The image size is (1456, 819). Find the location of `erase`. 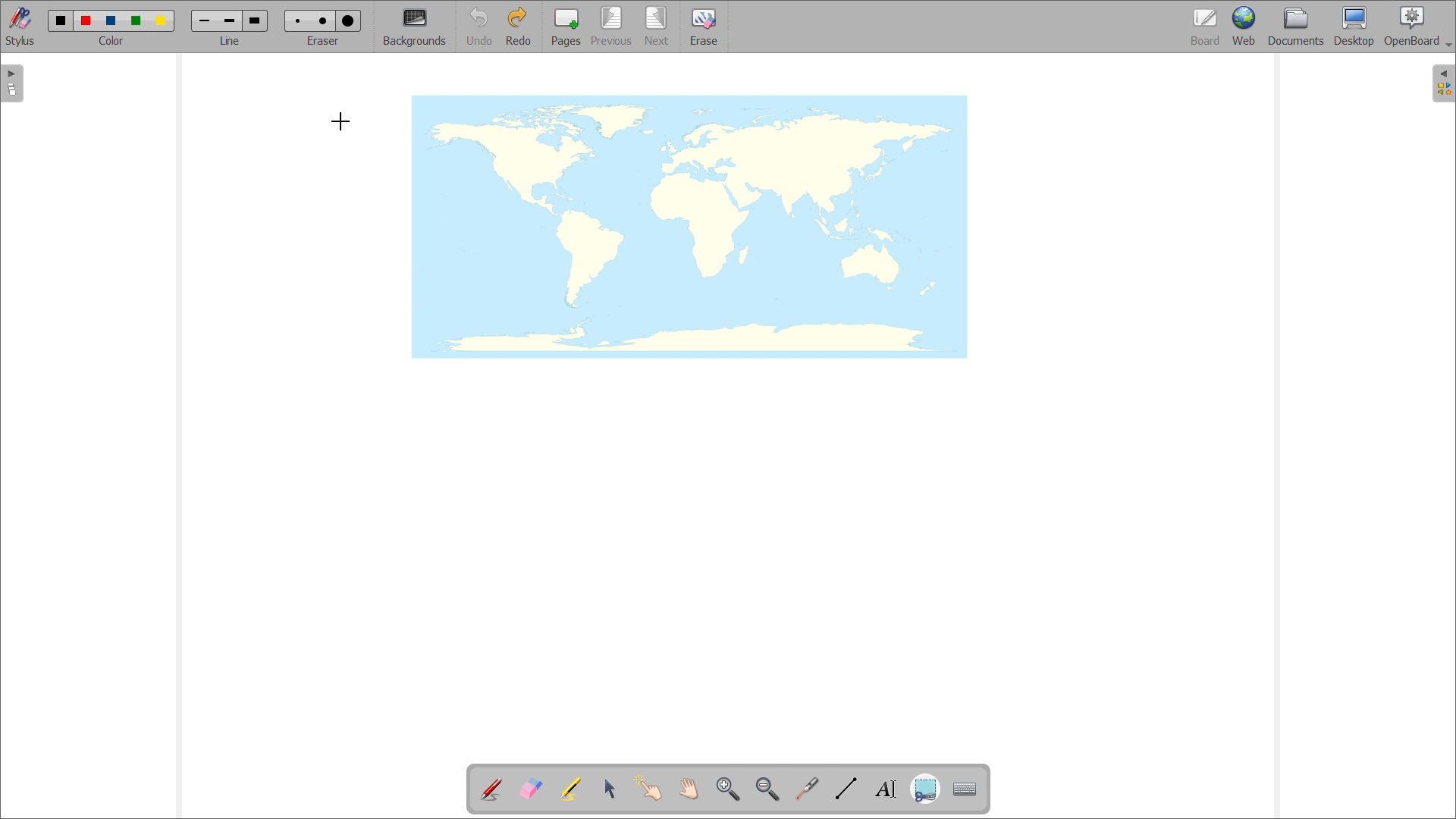

erase is located at coordinates (704, 27).